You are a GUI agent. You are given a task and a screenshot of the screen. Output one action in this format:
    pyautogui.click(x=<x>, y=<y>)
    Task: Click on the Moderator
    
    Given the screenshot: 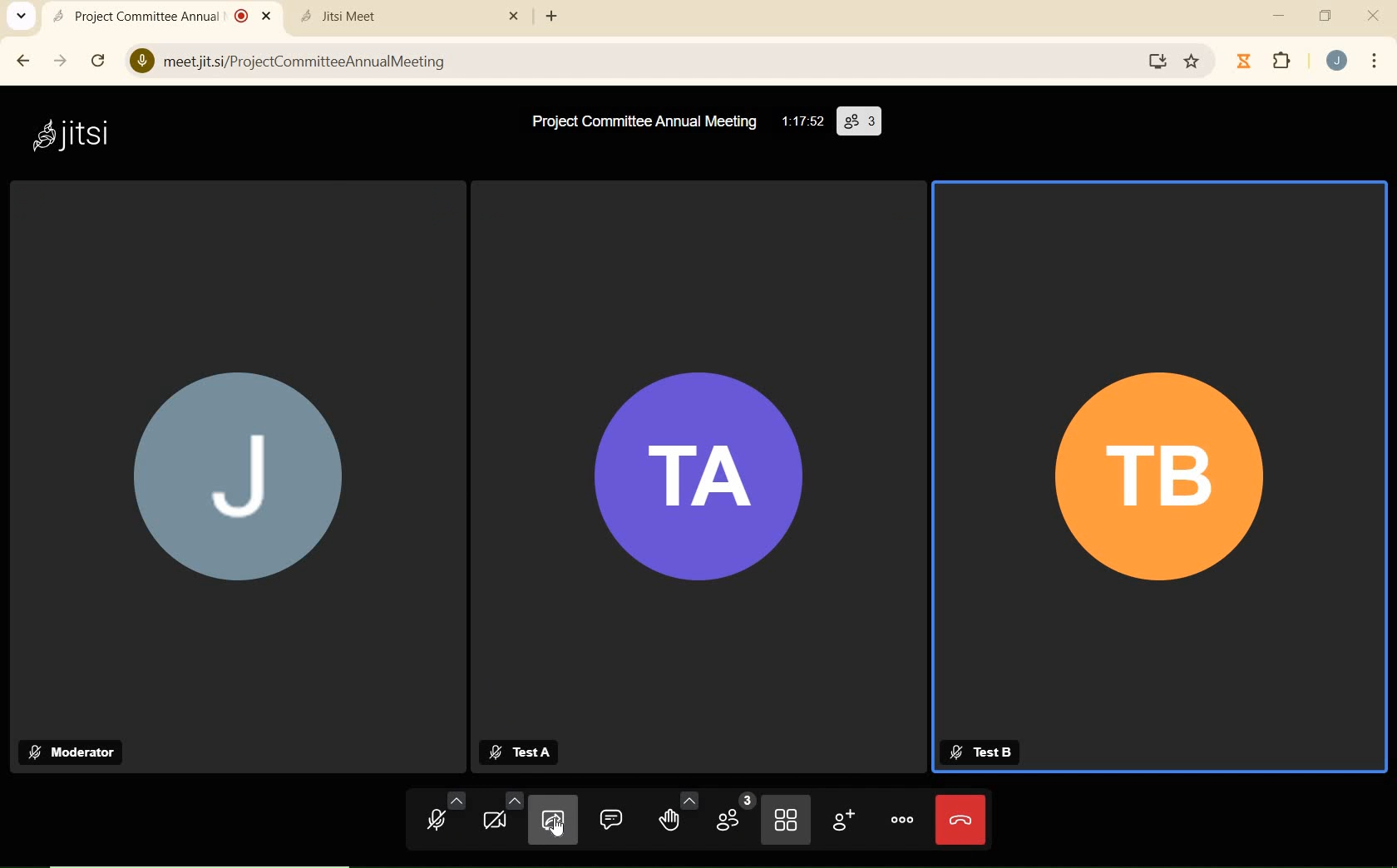 What is the action you would take?
    pyautogui.click(x=76, y=752)
    